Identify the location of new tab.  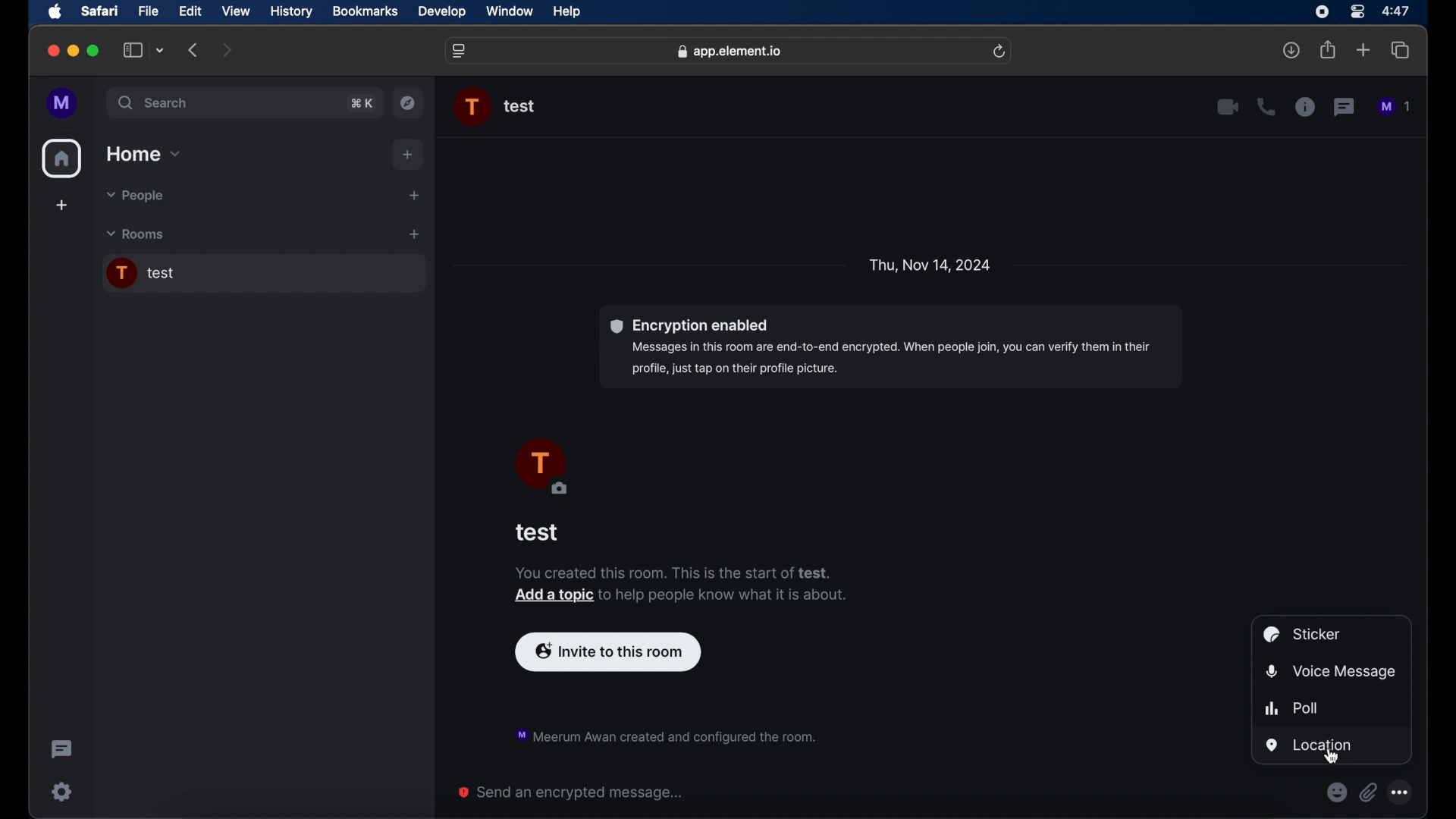
(1363, 50).